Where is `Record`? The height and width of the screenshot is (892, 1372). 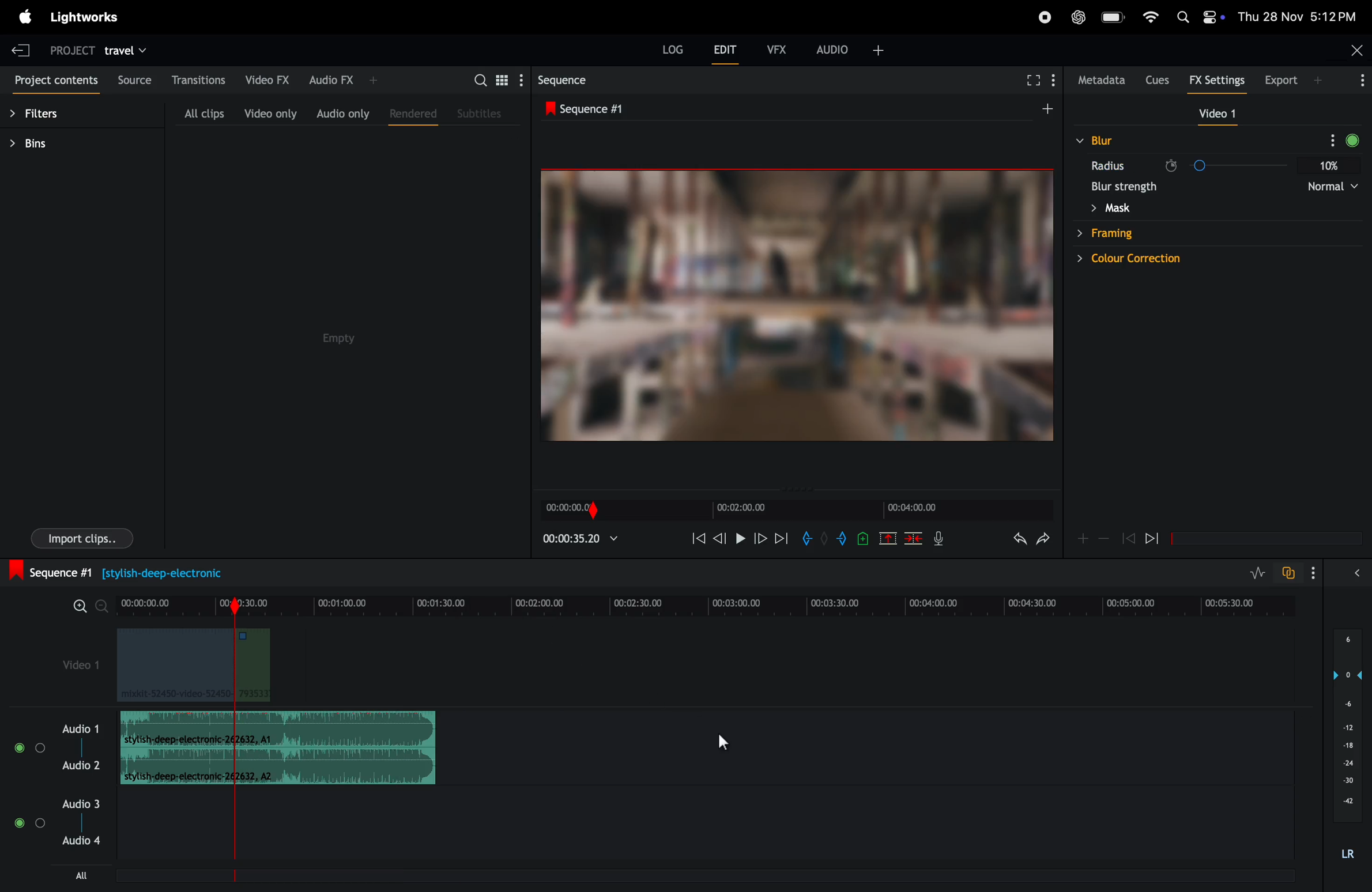
Record is located at coordinates (1355, 140).